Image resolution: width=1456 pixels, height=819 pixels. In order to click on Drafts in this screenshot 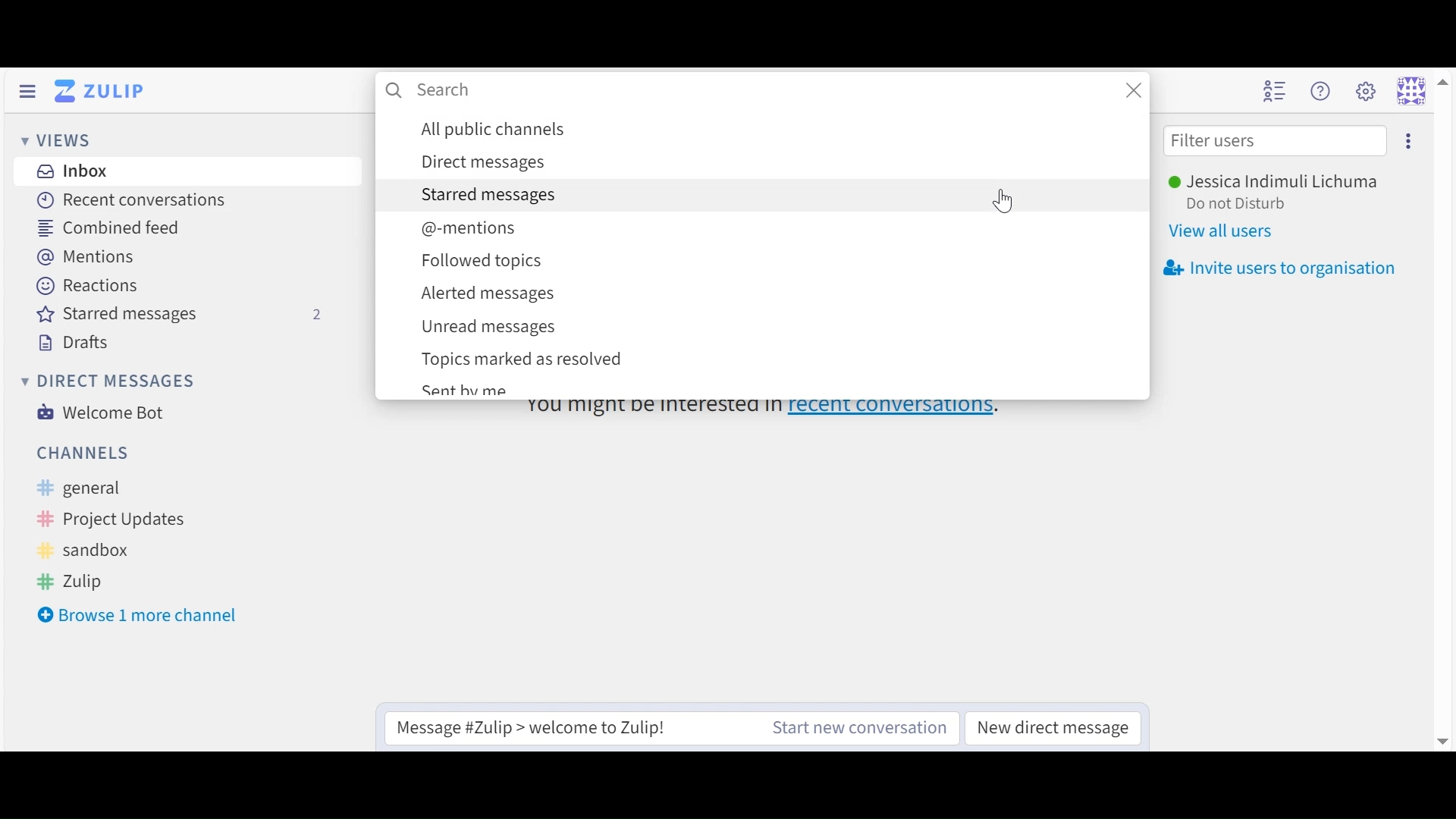, I will do `click(74, 342)`.